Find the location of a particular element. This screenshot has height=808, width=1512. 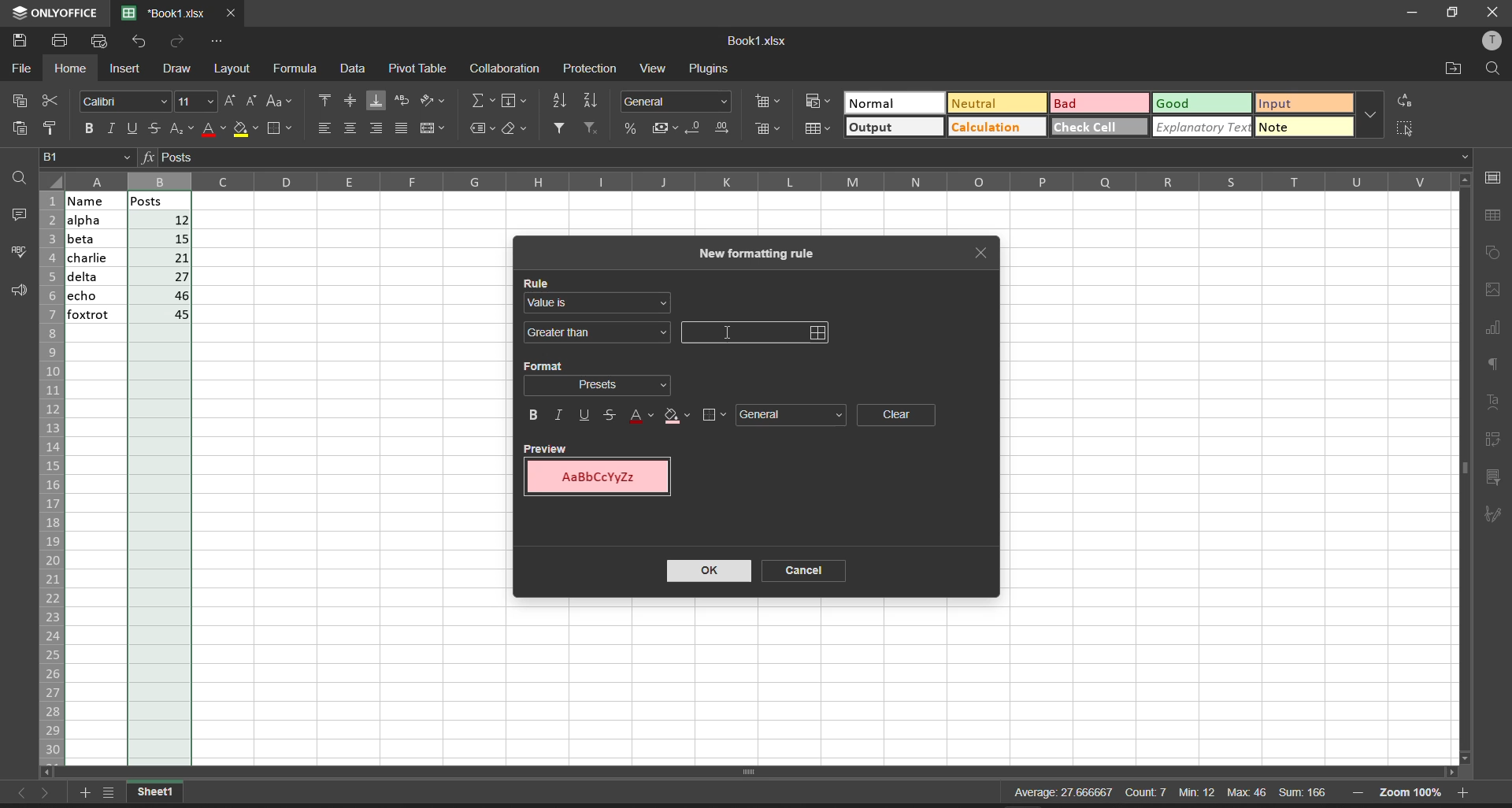

input is located at coordinates (1277, 103).